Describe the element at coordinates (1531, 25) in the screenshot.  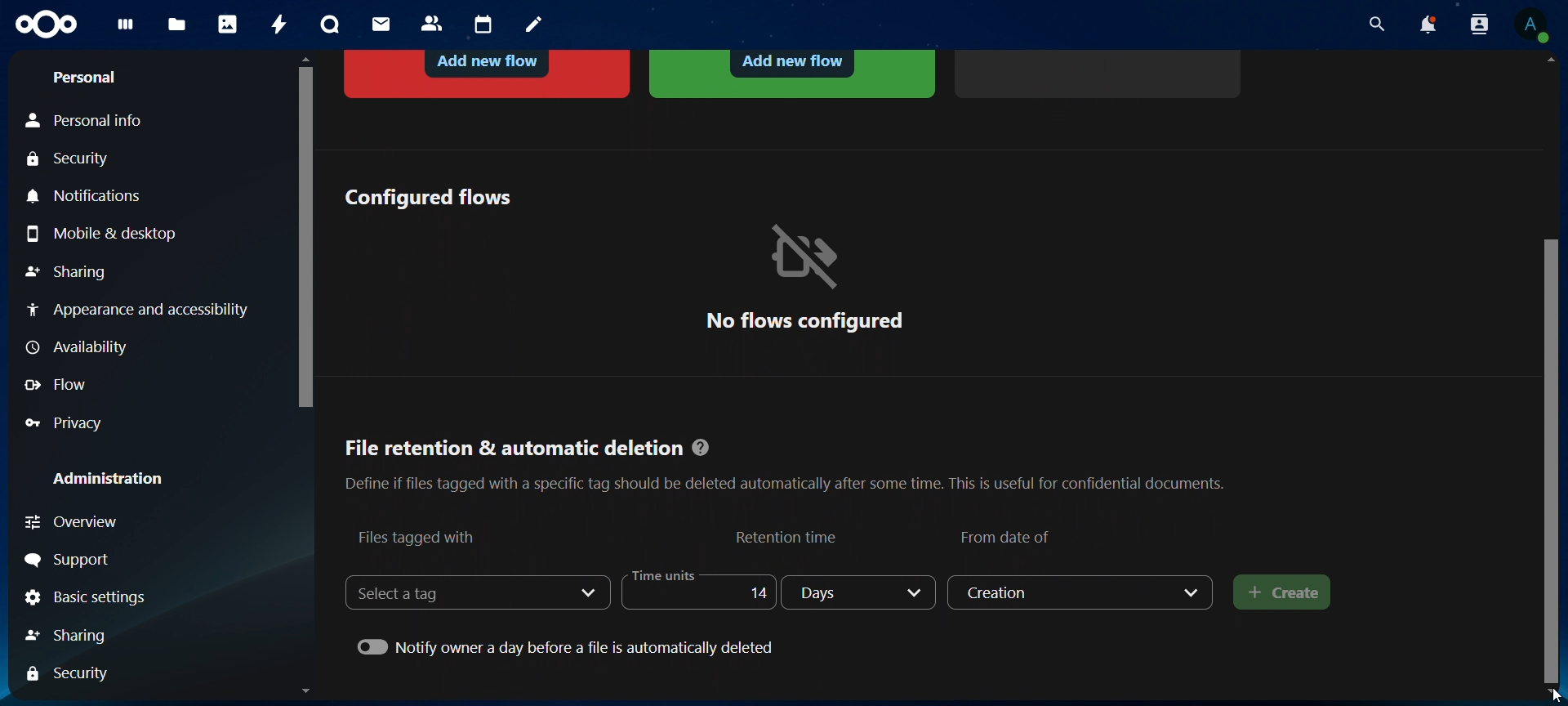
I see `view profile` at that location.